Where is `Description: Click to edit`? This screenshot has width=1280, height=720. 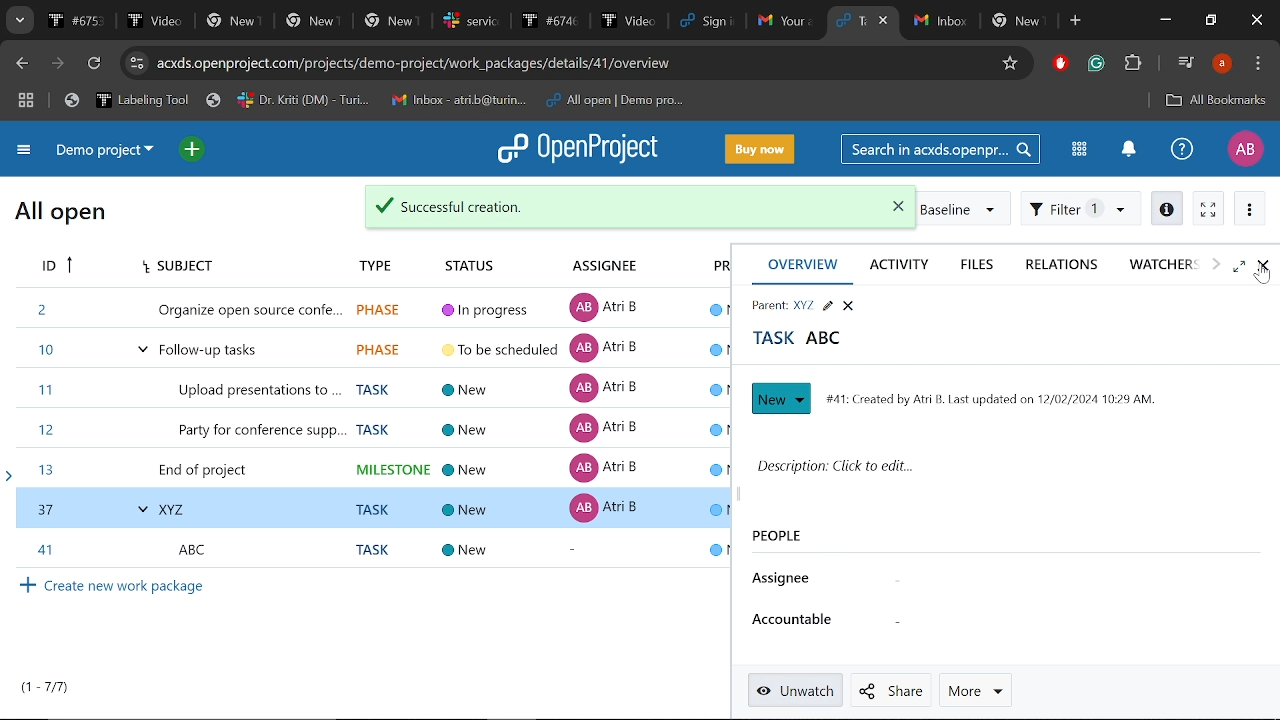 Description: Click to edit is located at coordinates (1001, 472).